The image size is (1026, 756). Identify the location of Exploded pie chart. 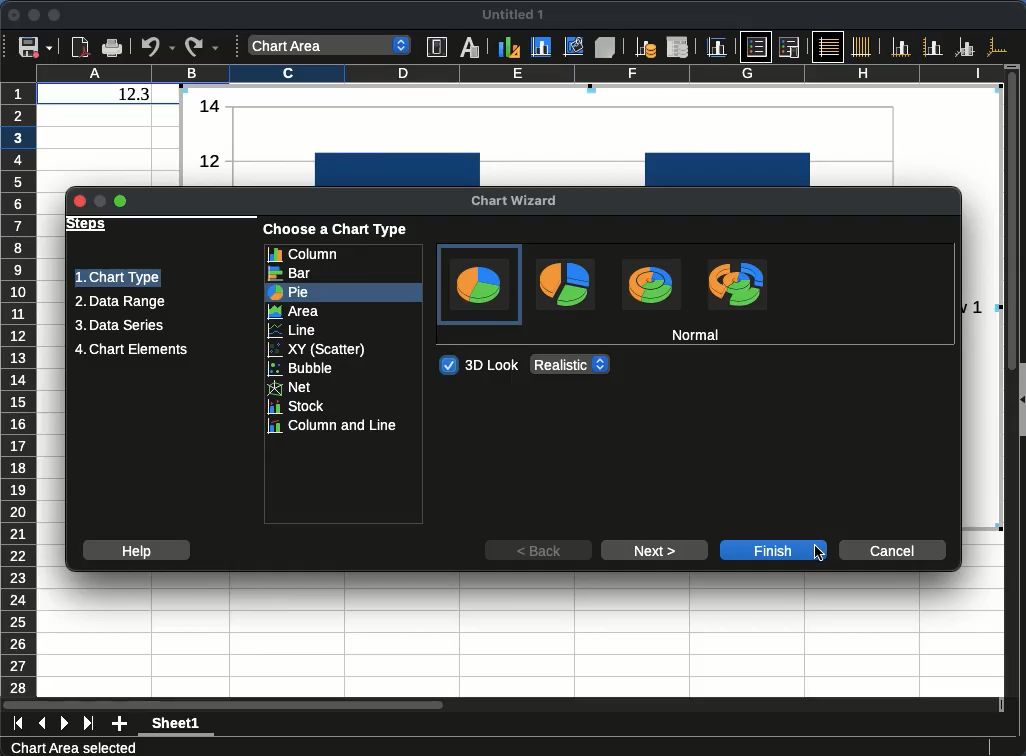
(566, 284).